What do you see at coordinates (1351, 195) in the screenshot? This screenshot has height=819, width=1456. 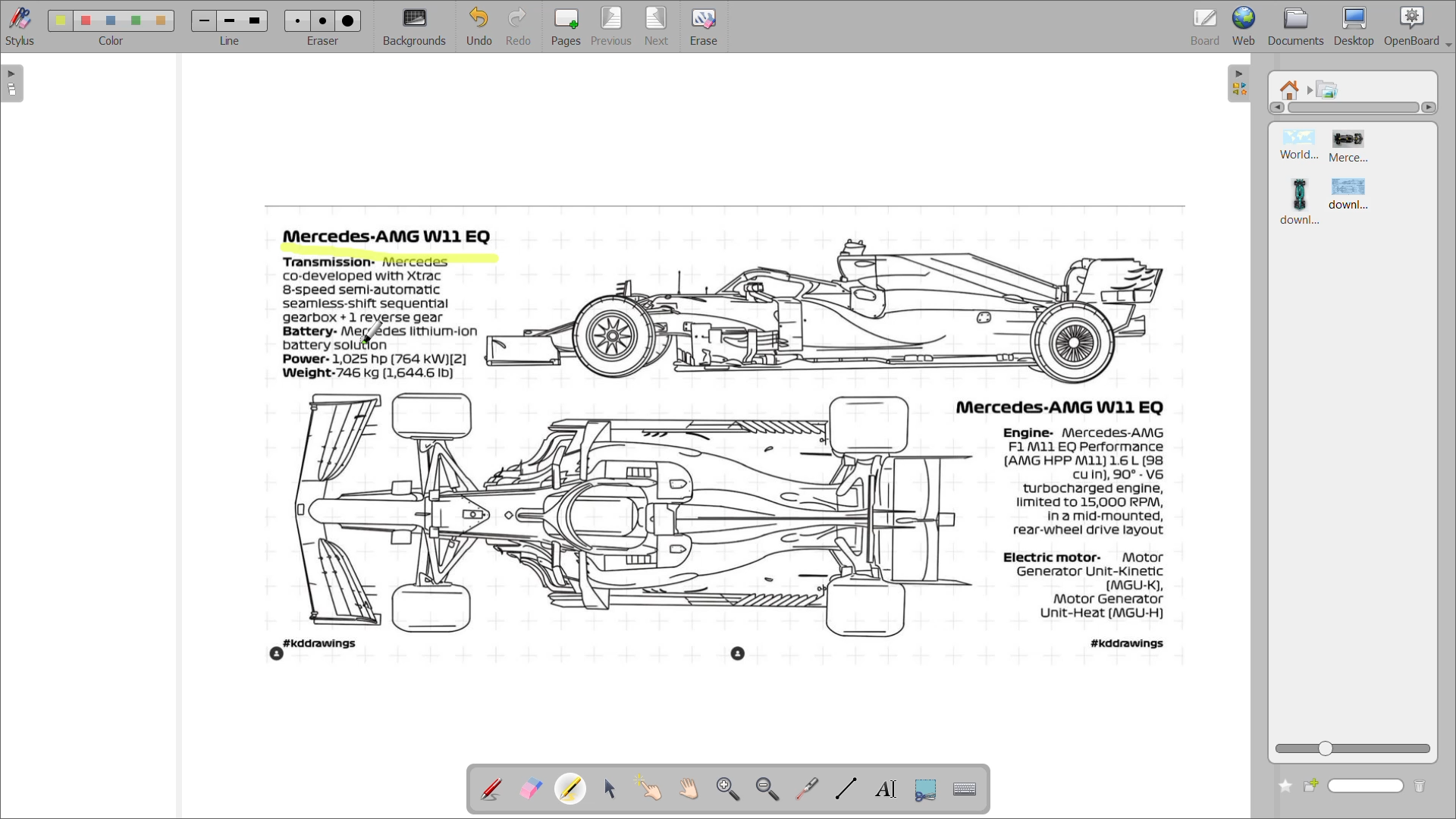 I see `image 4` at bounding box center [1351, 195].